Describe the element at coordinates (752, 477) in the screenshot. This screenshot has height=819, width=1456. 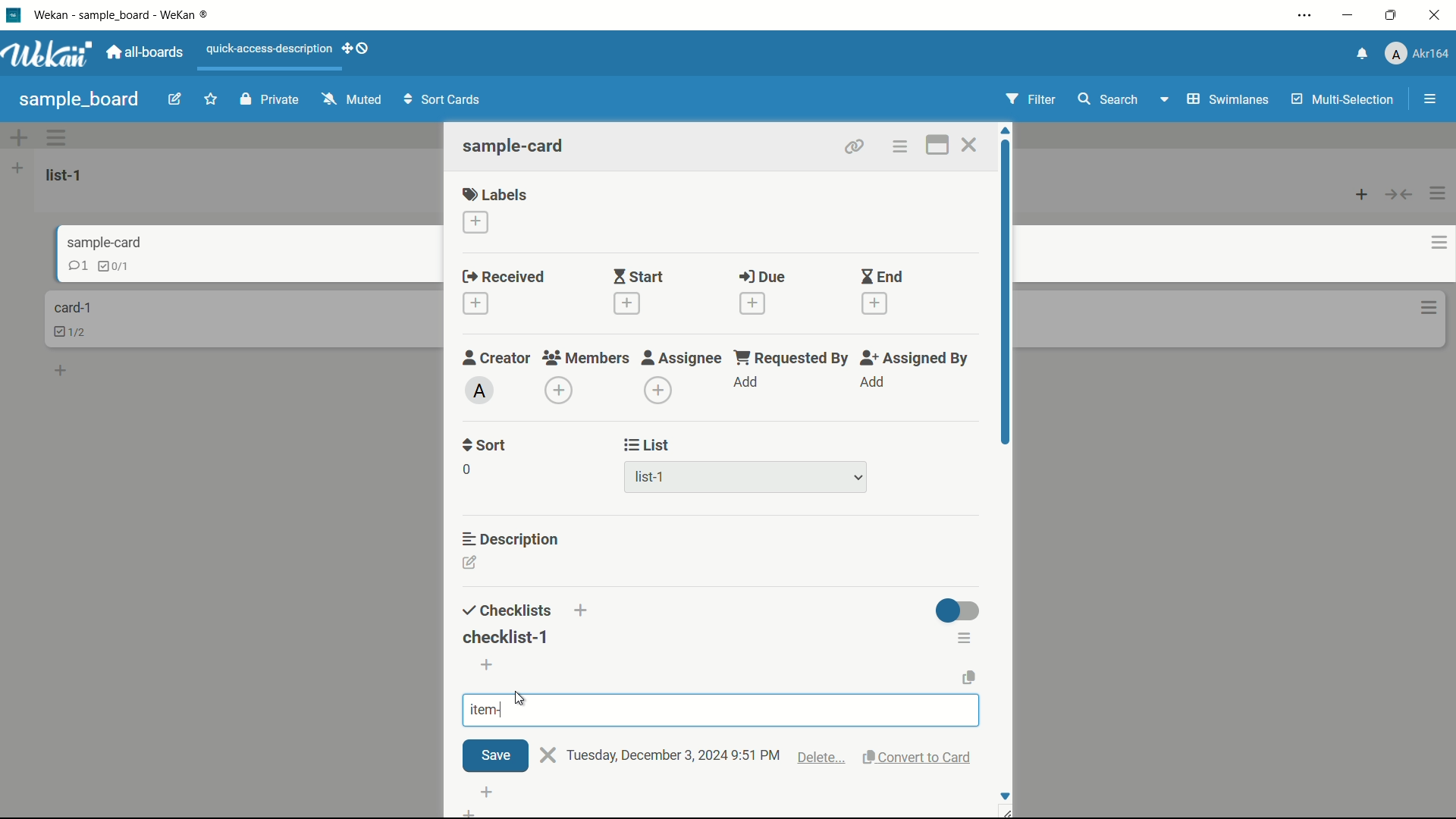
I see `list-1` at that location.